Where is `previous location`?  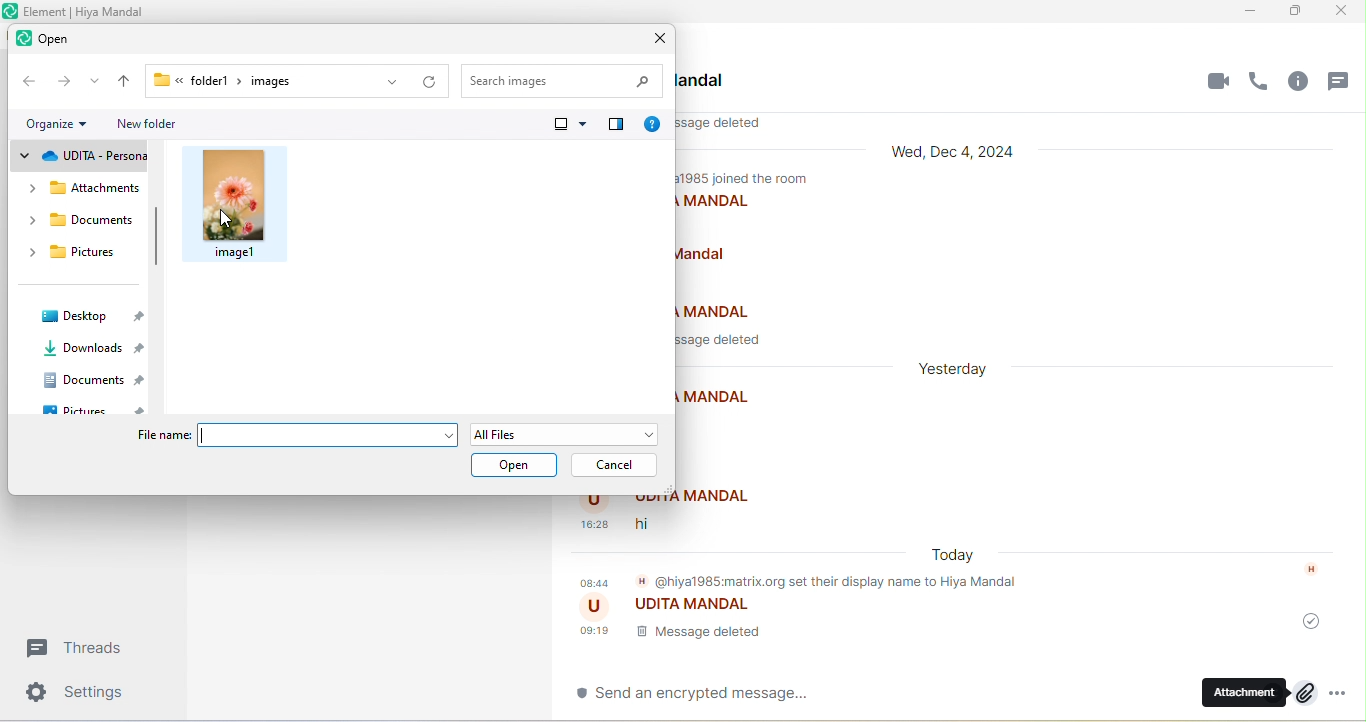
previous location is located at coordinates (388, 83).